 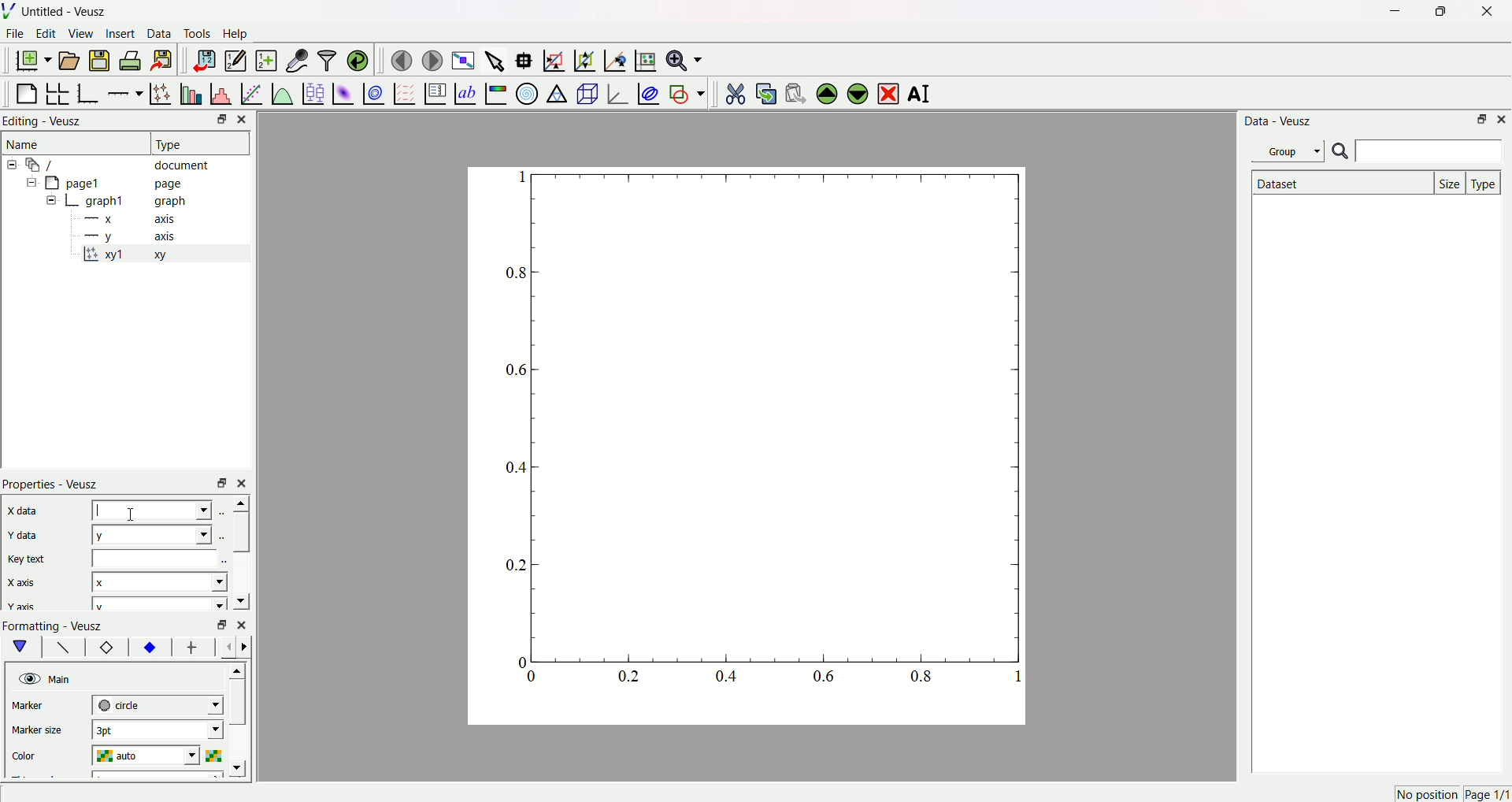 I want to click on 3d scenes, so click(x=586, y=93).